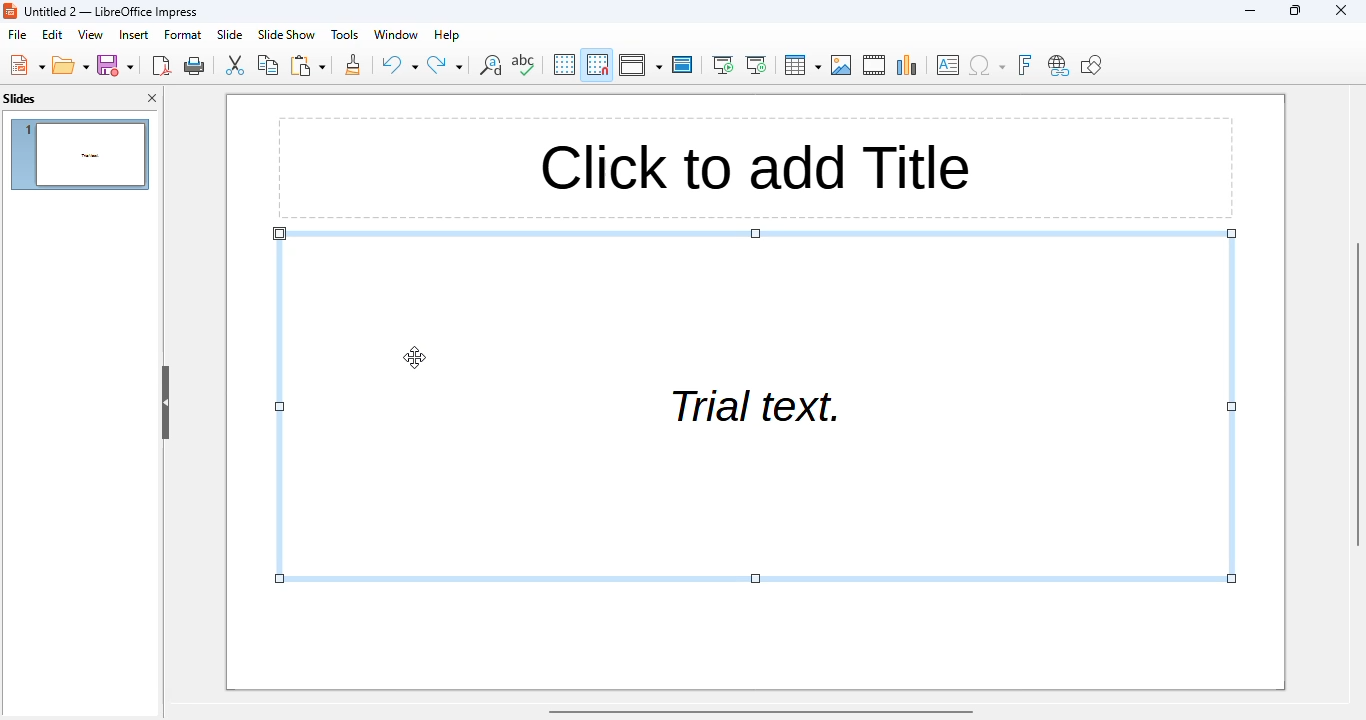 The image size is (1366, 720). What do you see at coordinates (152, 98) in the screenshot?
I see `close pane` at bounding box center [152, 98].